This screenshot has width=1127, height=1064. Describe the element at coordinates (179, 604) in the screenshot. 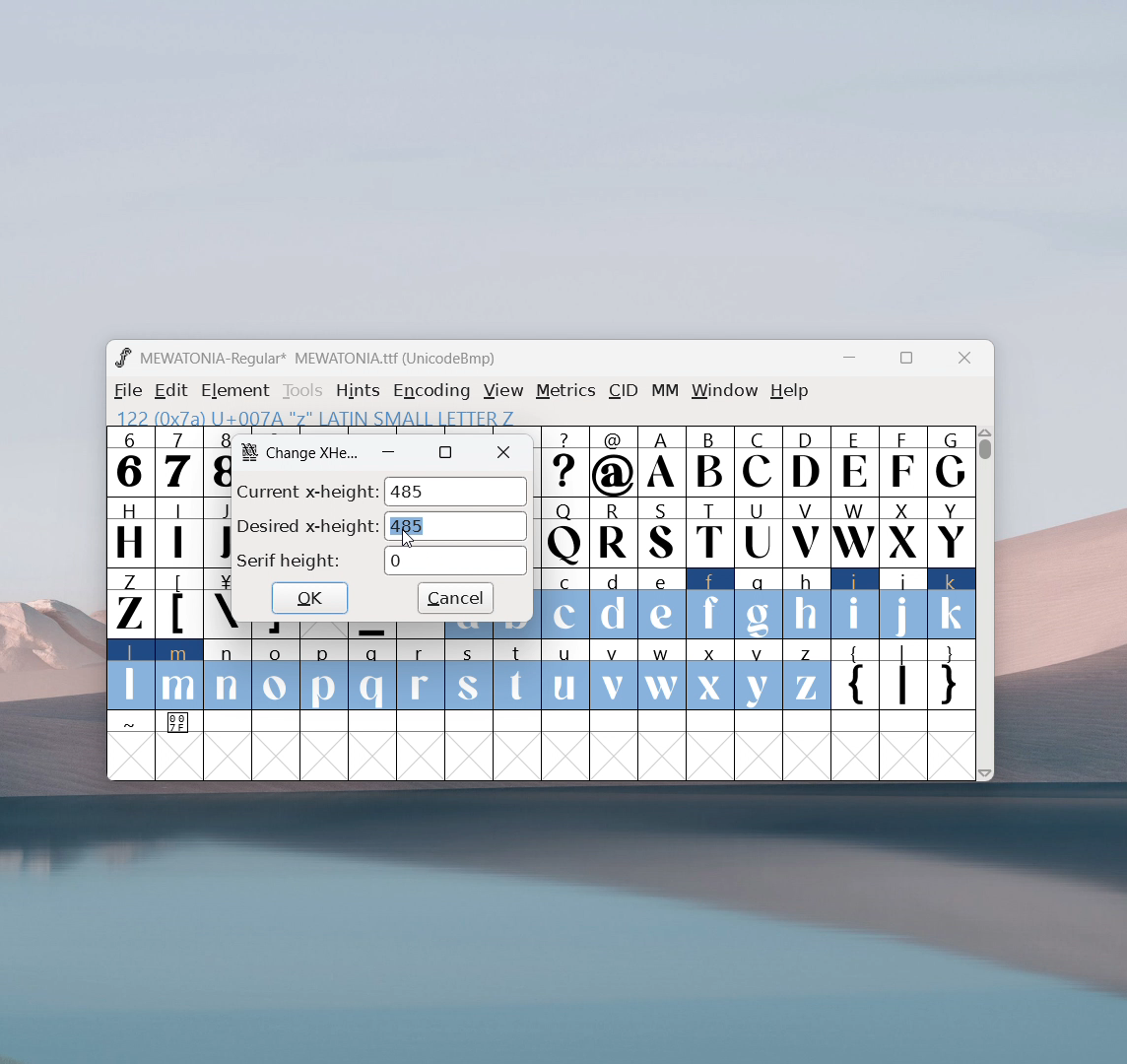

I see `[` at that location.